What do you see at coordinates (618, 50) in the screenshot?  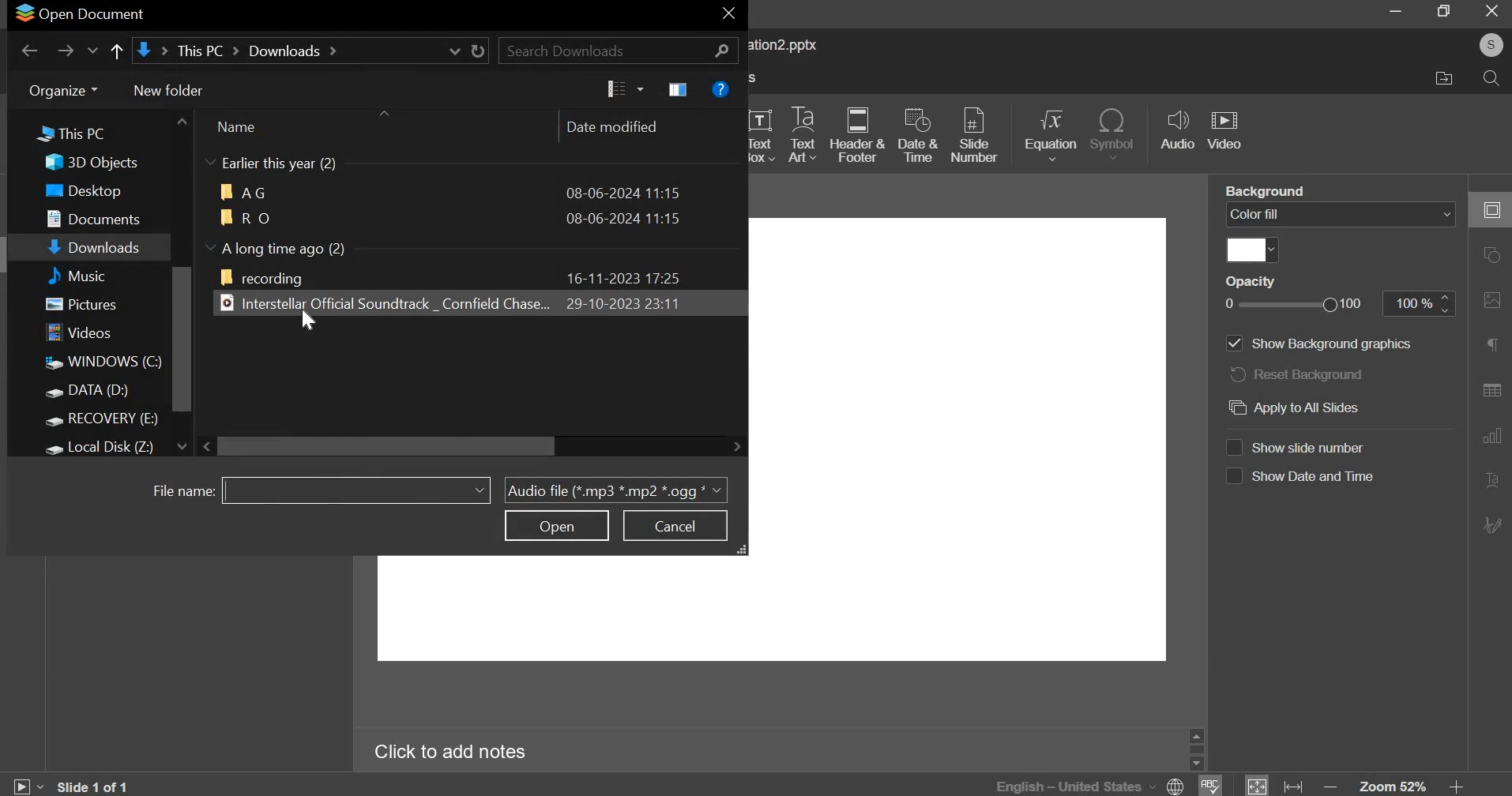 I see `search` at bounding box center [618, 50].